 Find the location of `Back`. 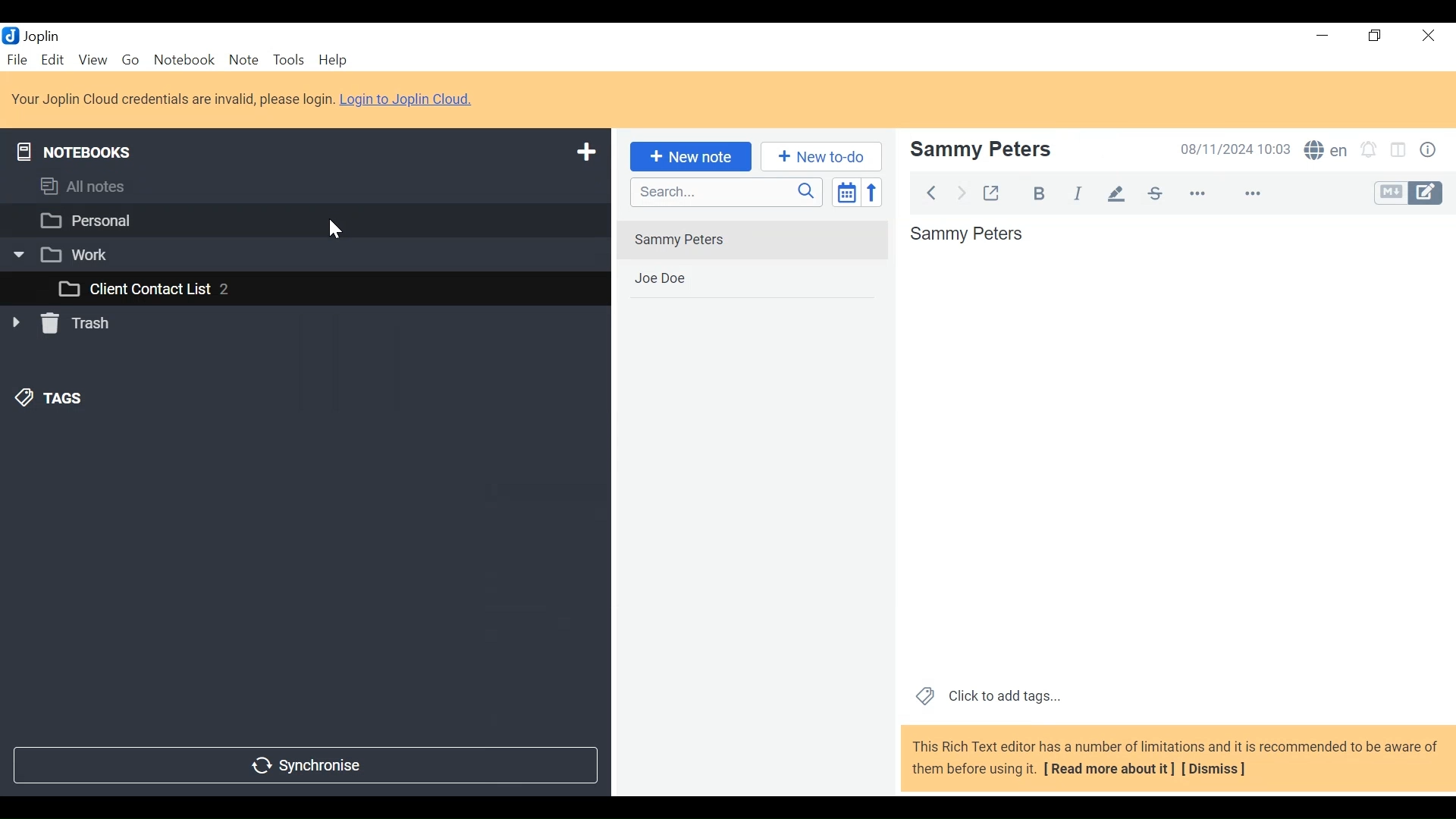

Back is located at coordinates (930, 193).